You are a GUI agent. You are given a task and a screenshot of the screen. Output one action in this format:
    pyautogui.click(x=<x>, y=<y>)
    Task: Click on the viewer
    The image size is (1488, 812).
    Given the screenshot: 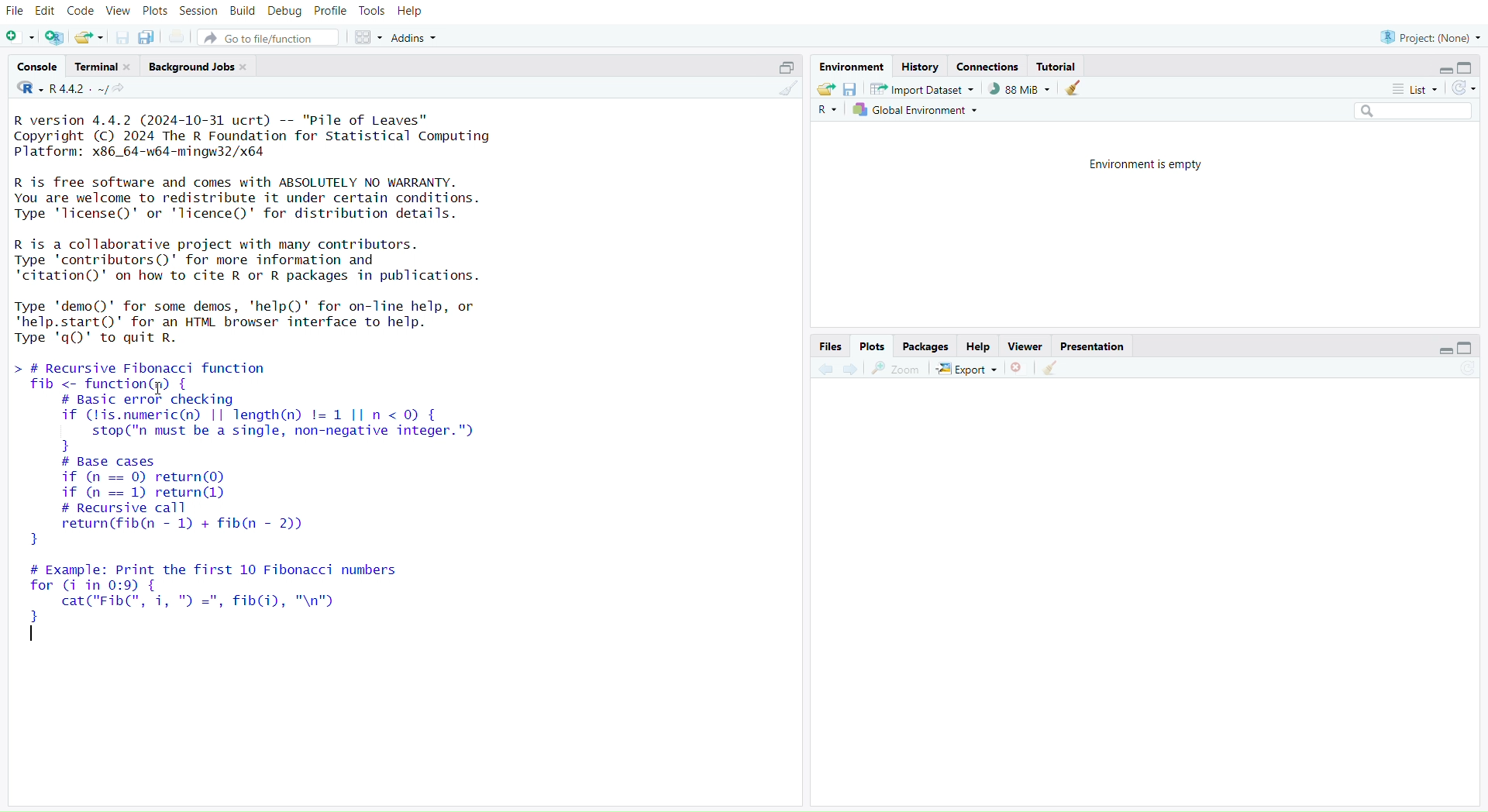 What is the action you would take?
    pyautogui.click(x=1026, y=347)
    